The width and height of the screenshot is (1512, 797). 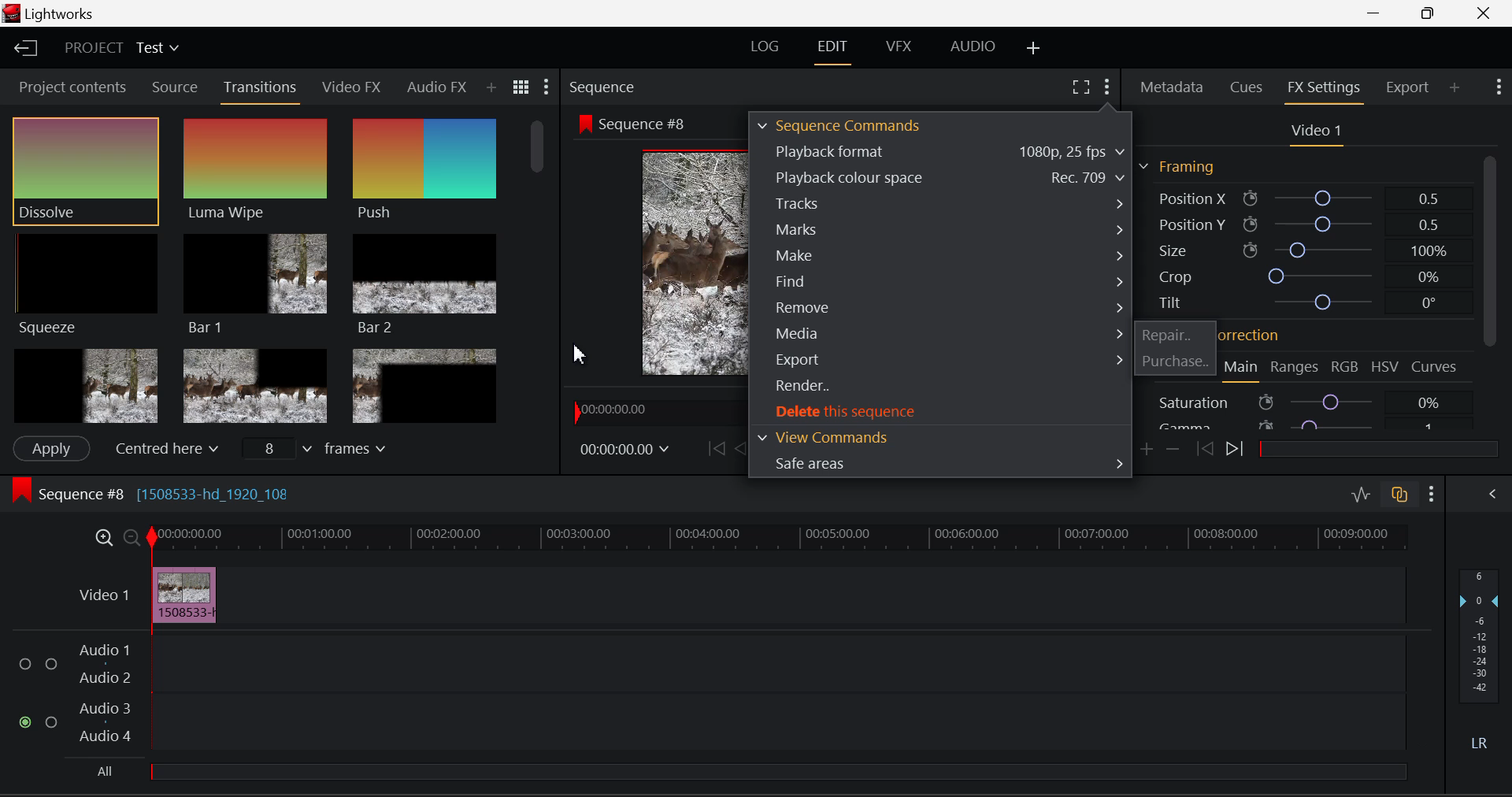 What do you see at coordinates (548, 85) in the screenshot?
I see `Show Settings` at bounding box center [548, 85].